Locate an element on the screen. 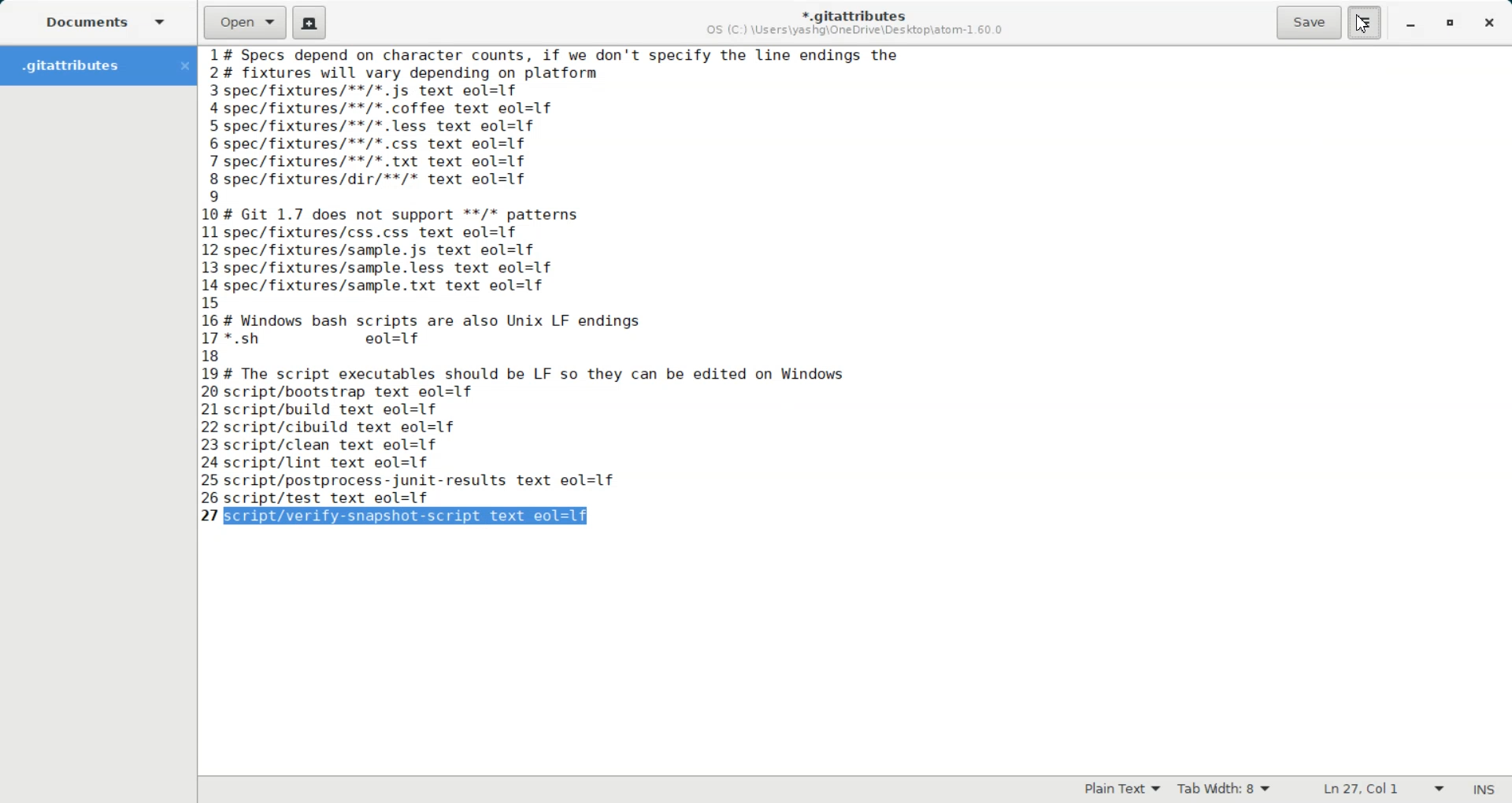 This screenshot has width=1512, height=803. script/verify-snapshot-script text eol=lf (selected) is located at coordinates (413, 516).